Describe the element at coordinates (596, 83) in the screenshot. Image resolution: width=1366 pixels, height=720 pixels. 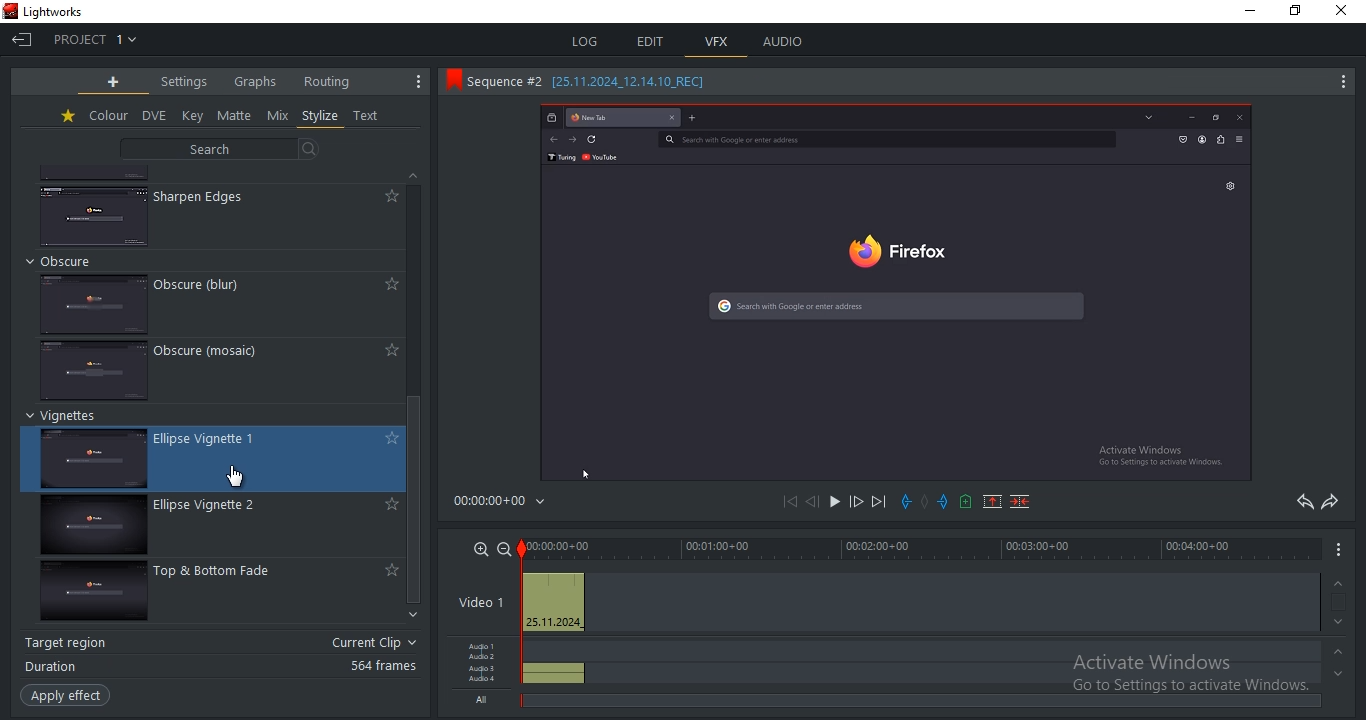
I see `Sequence information` at that location.